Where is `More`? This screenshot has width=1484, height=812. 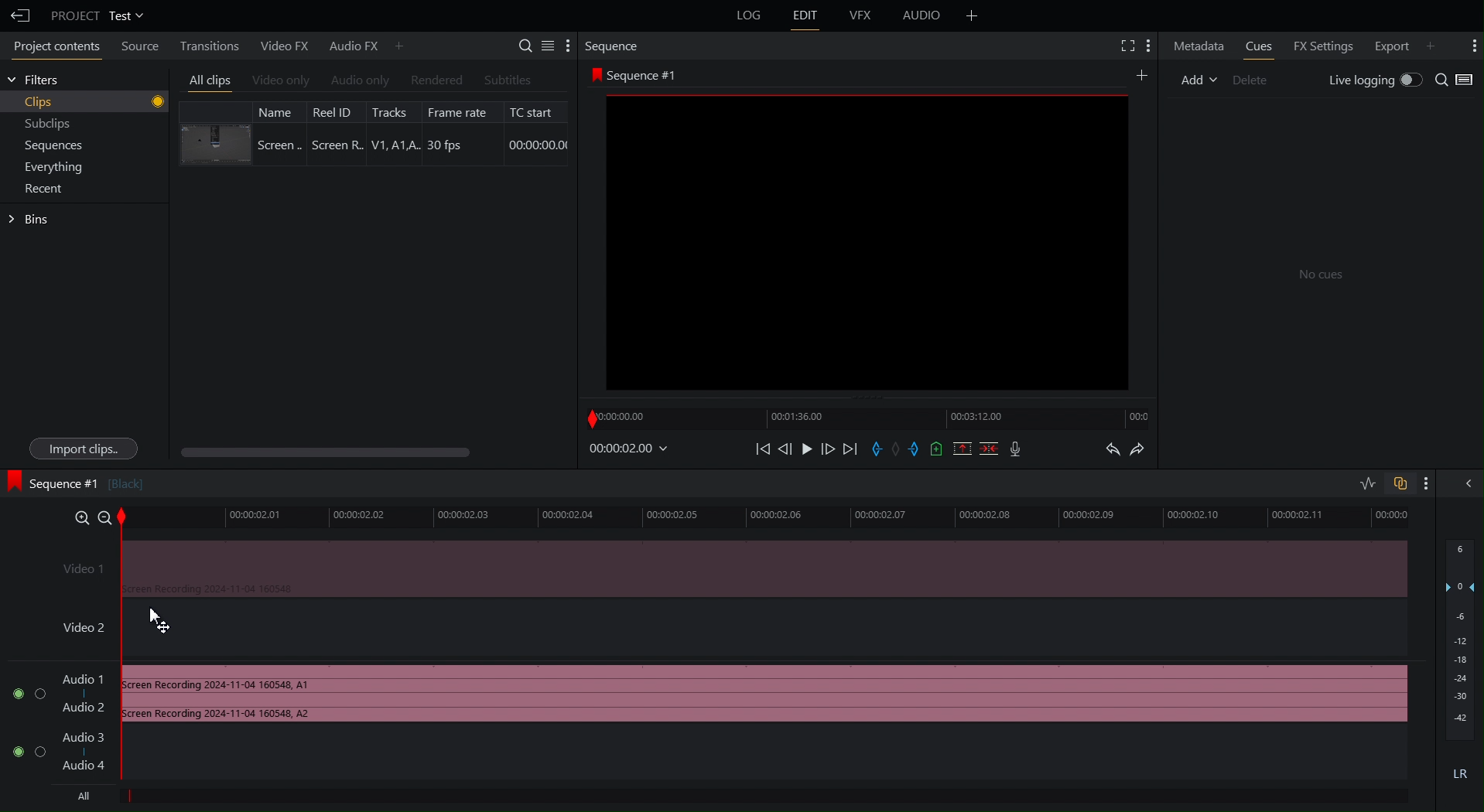 More is located at coordinates (1151, 47).